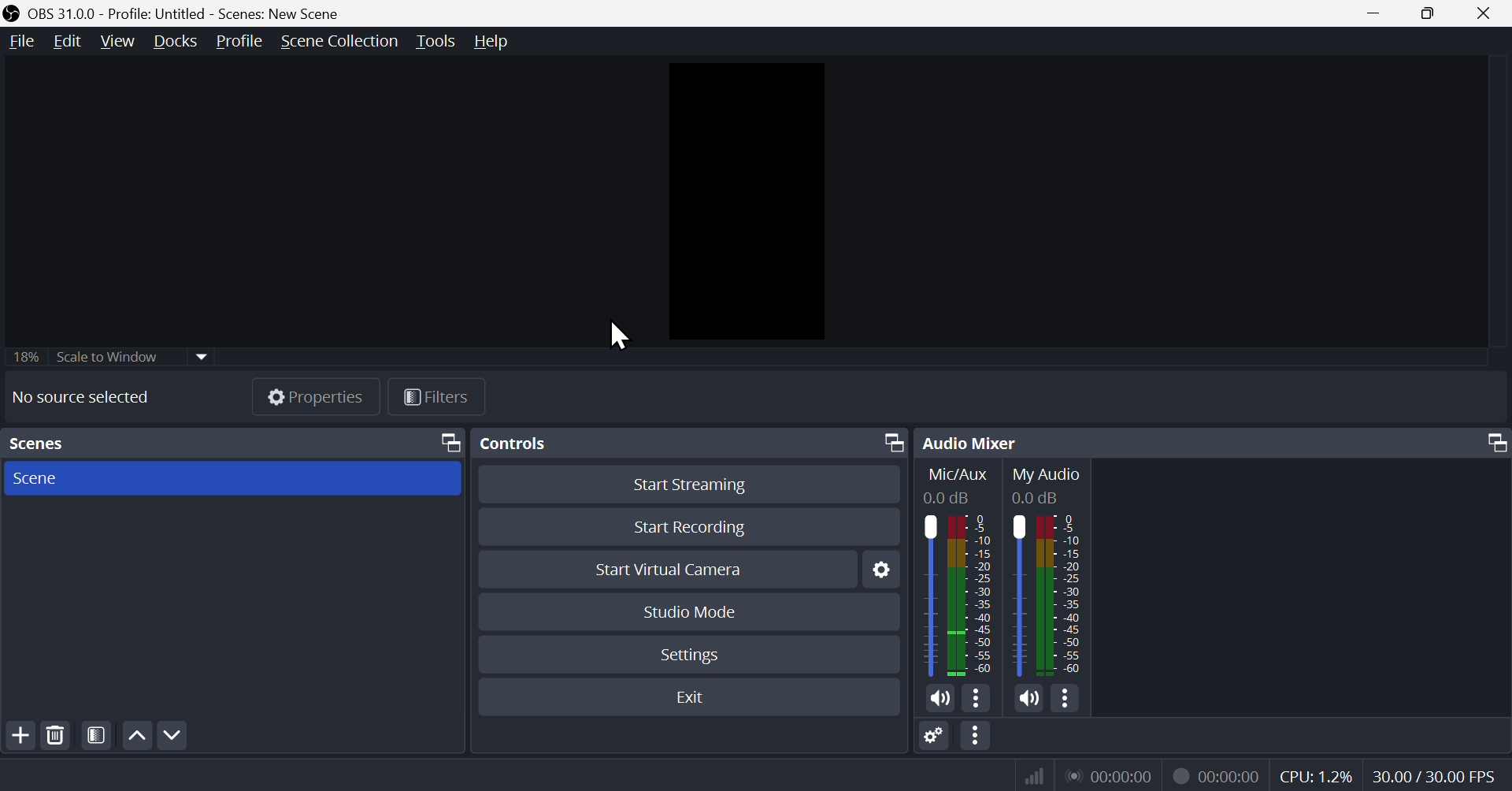  What do you see at coordinates (93, 733) in the screenshot?
I see `Scene Filters` at bounding box center [93, 733].